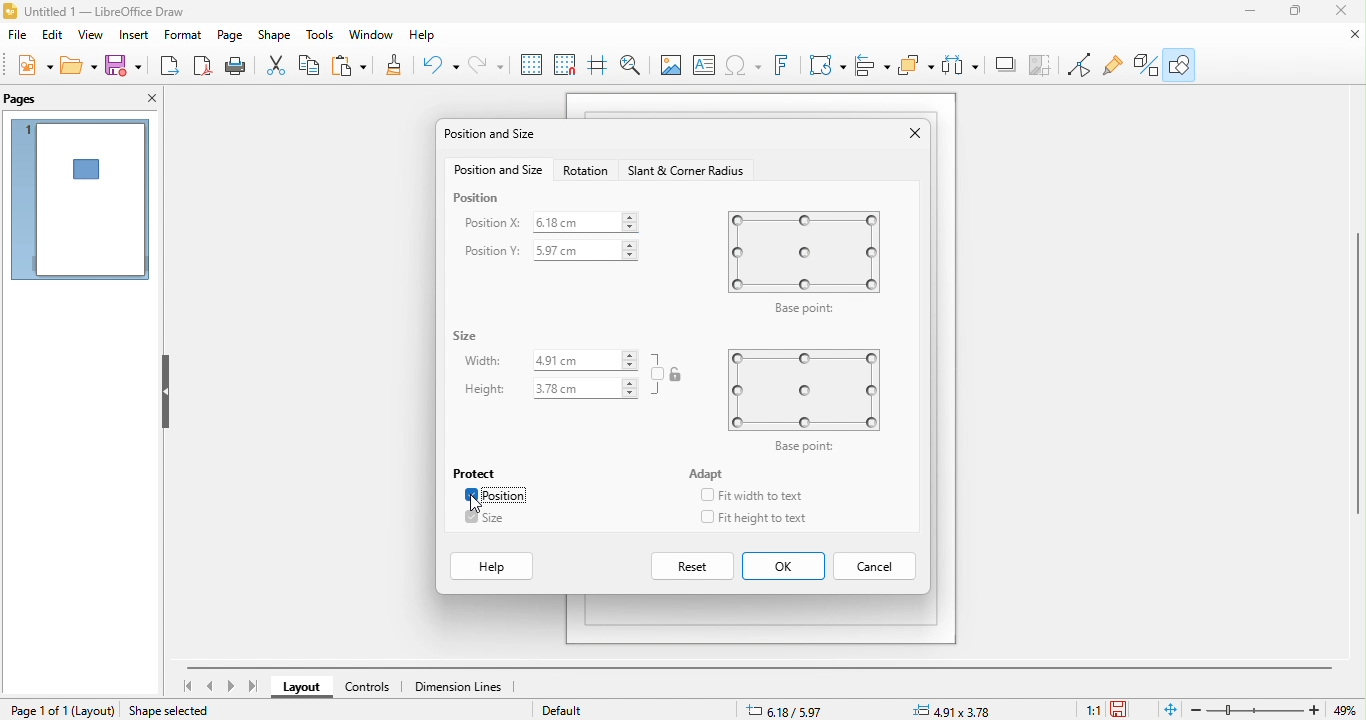  What do you see at coordinates (1357, 372) in the screenshot?
I see `vertical scroll bar` at bounding box center [1357, 372].